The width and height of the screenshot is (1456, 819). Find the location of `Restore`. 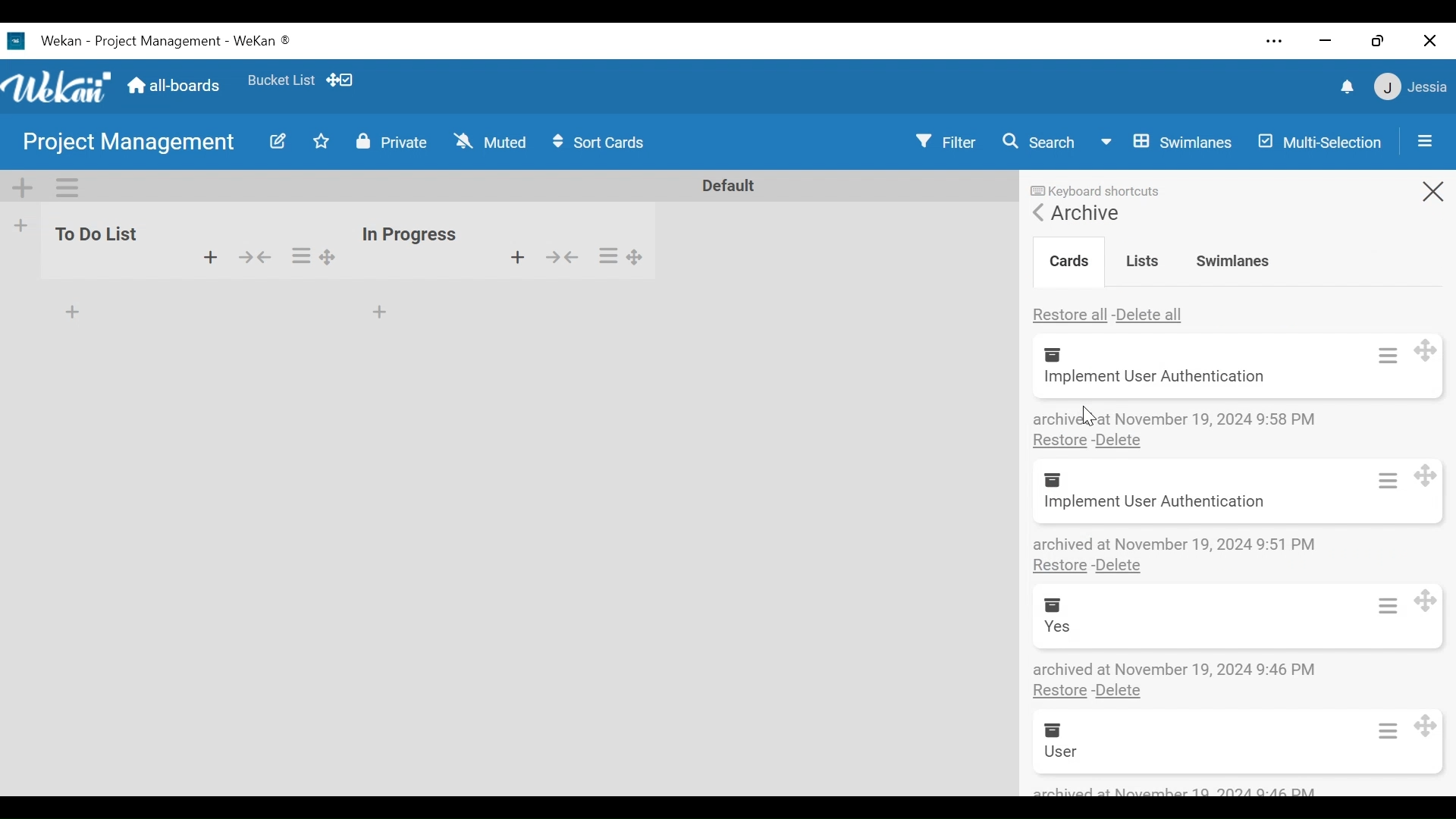

Restore is located at coordinates (1059, 691).